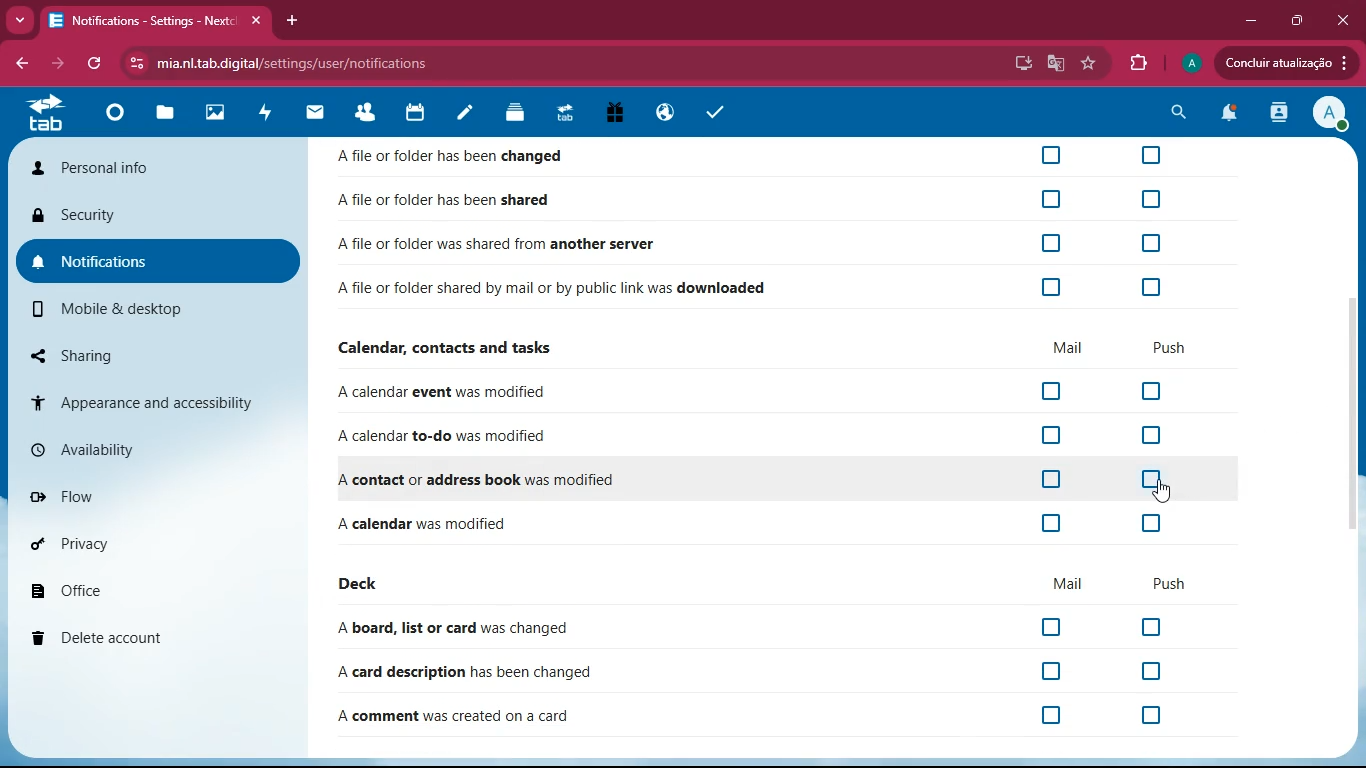 This screenshot has width=1366, height=768. Describe the element at coordinates (1155, 437) in the screenshot. I see `off` at that location.